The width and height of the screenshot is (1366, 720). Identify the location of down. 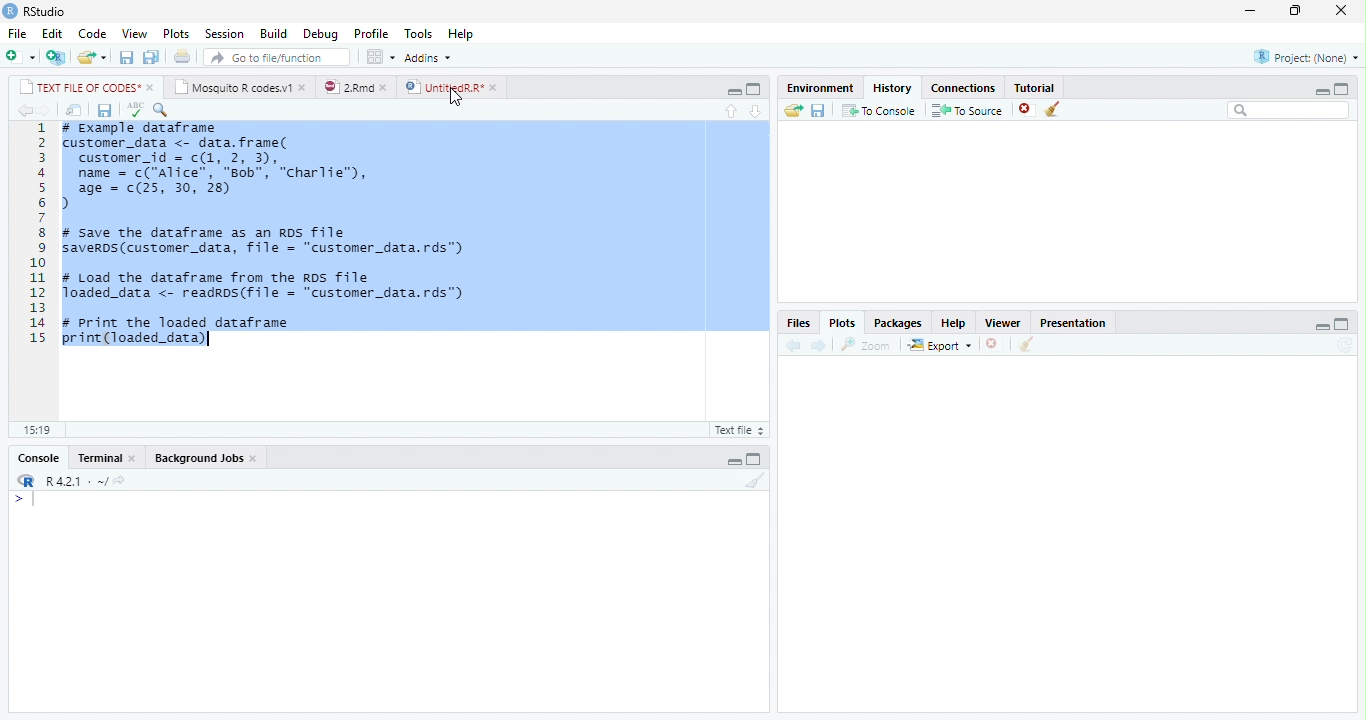
(756, 110).